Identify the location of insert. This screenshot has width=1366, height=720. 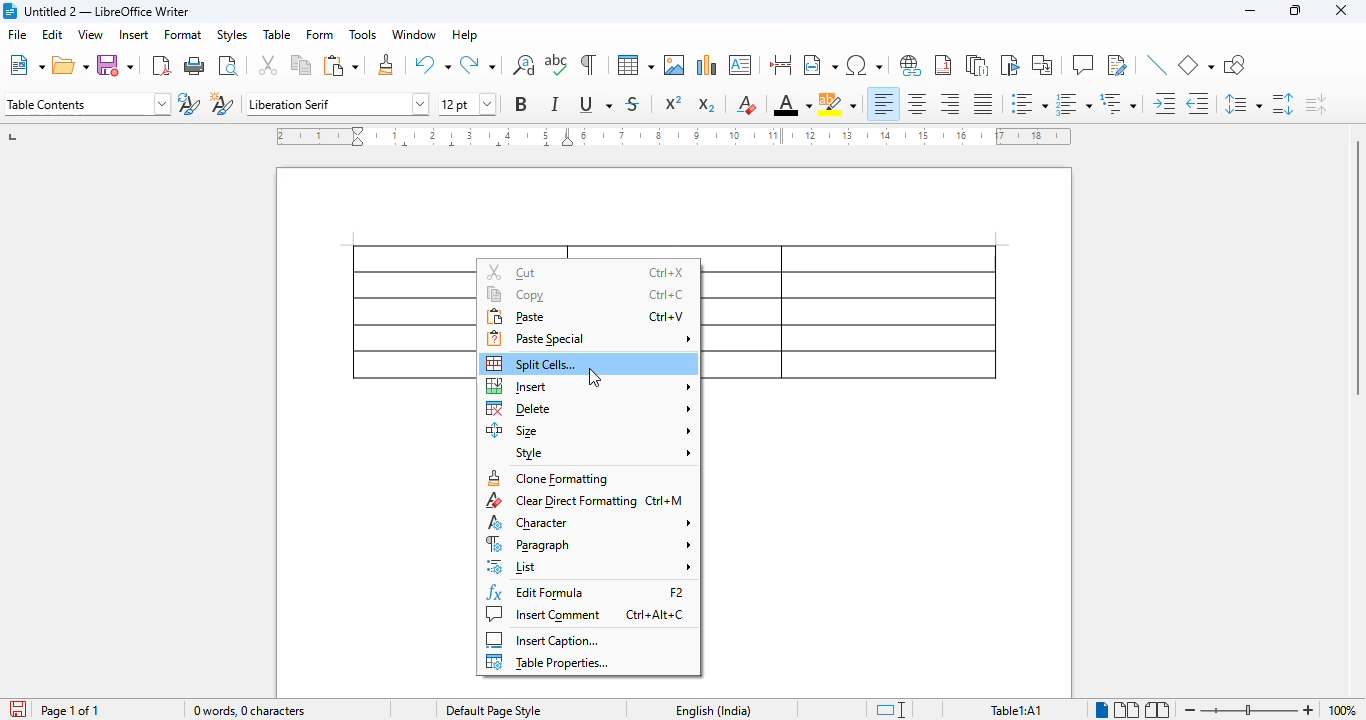
(134, 34).